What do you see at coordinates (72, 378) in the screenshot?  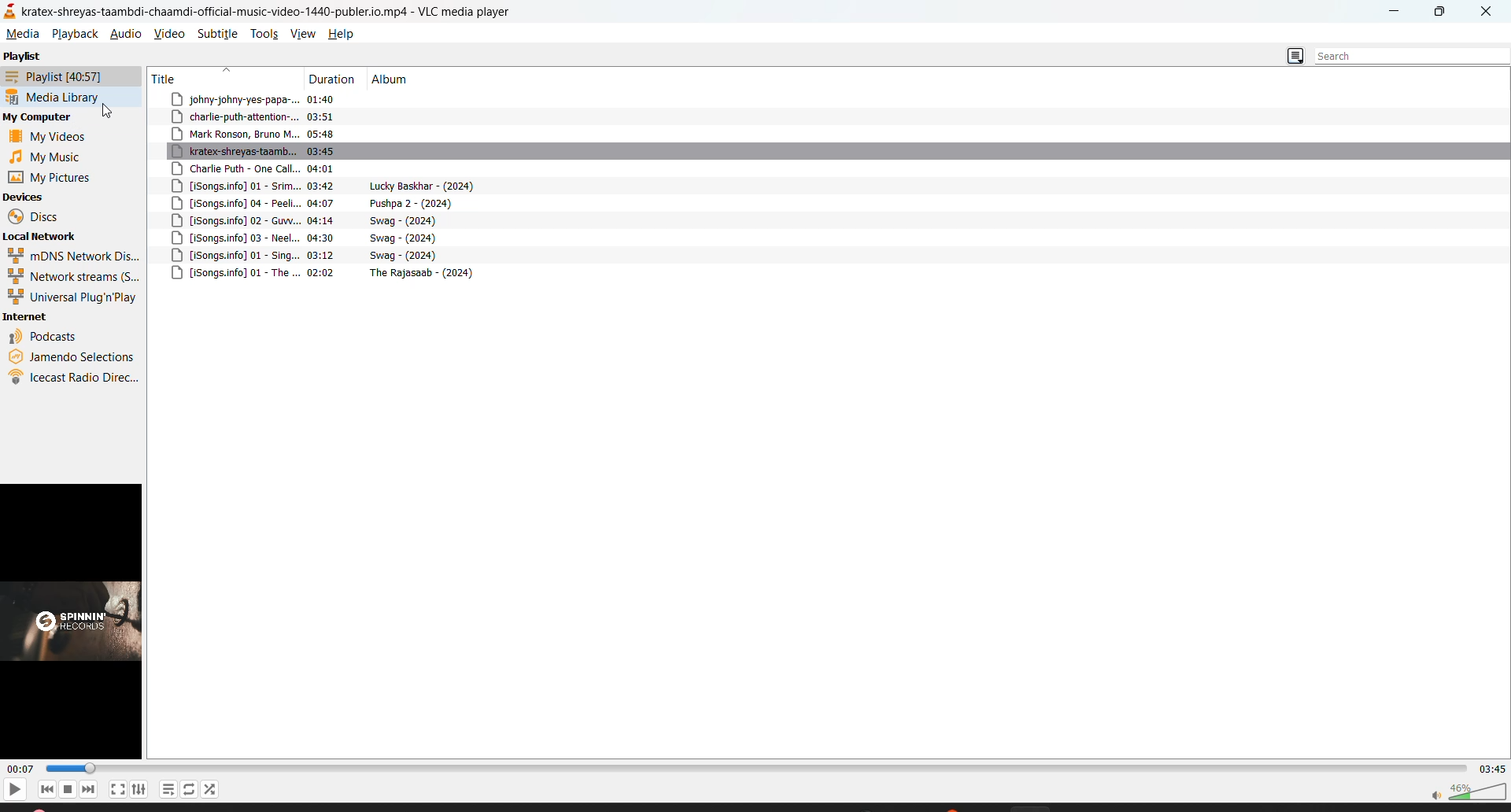 I see `icecast` at bounding box center [72, 378].